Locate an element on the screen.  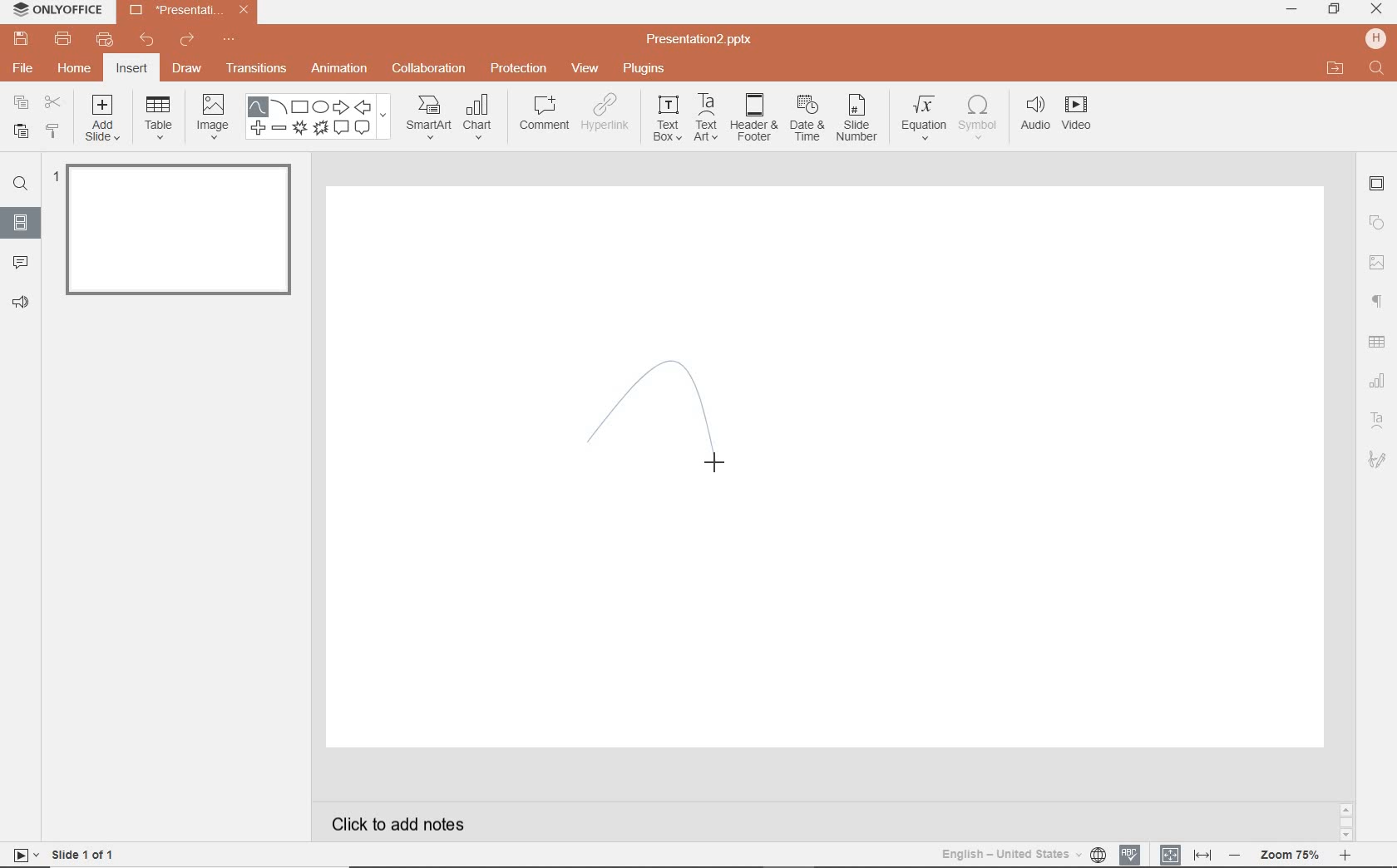
image settings is located at coordinates (1377, 262).